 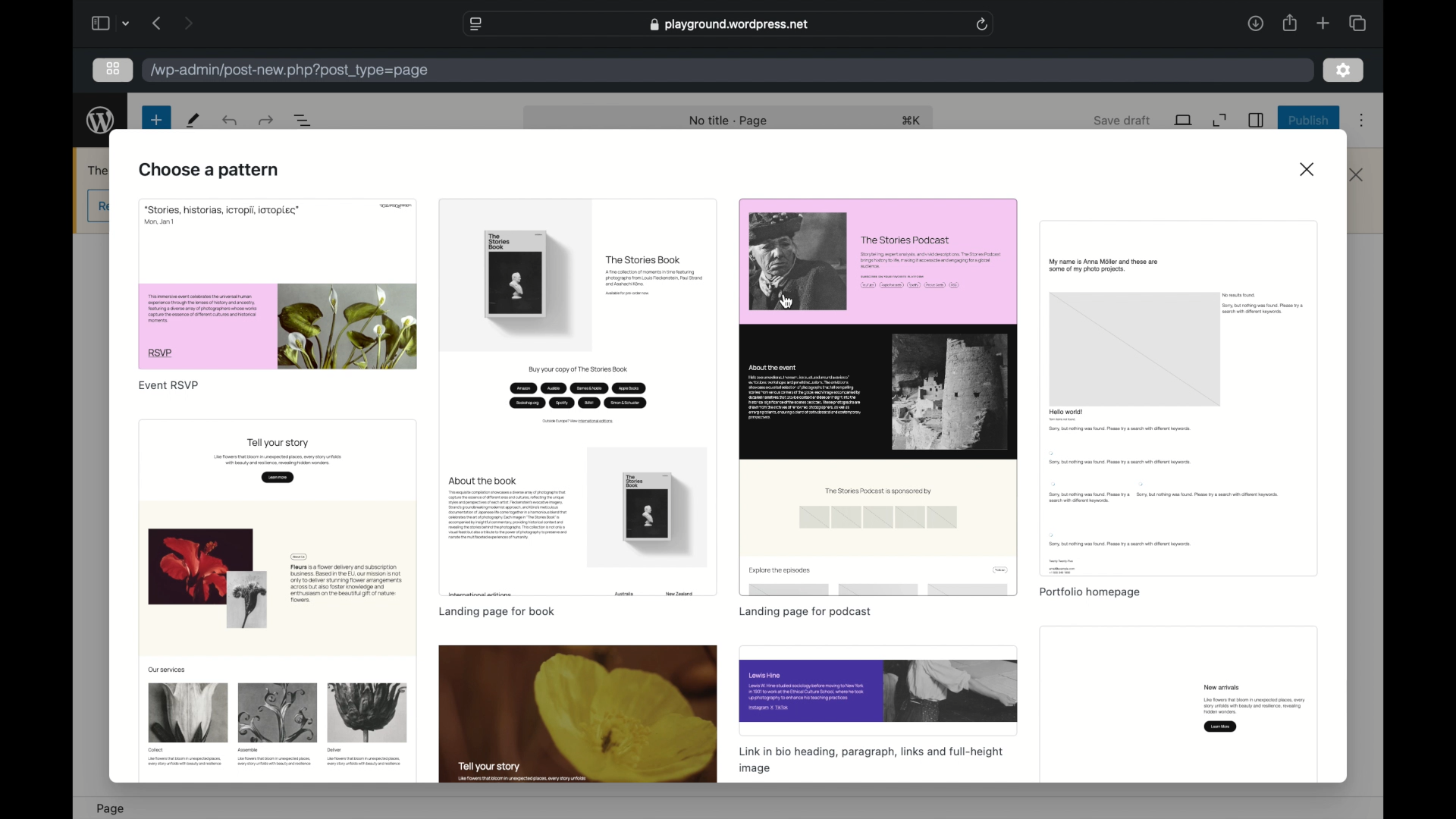 I want to click on landing page for book, so click(x=497, y=611).